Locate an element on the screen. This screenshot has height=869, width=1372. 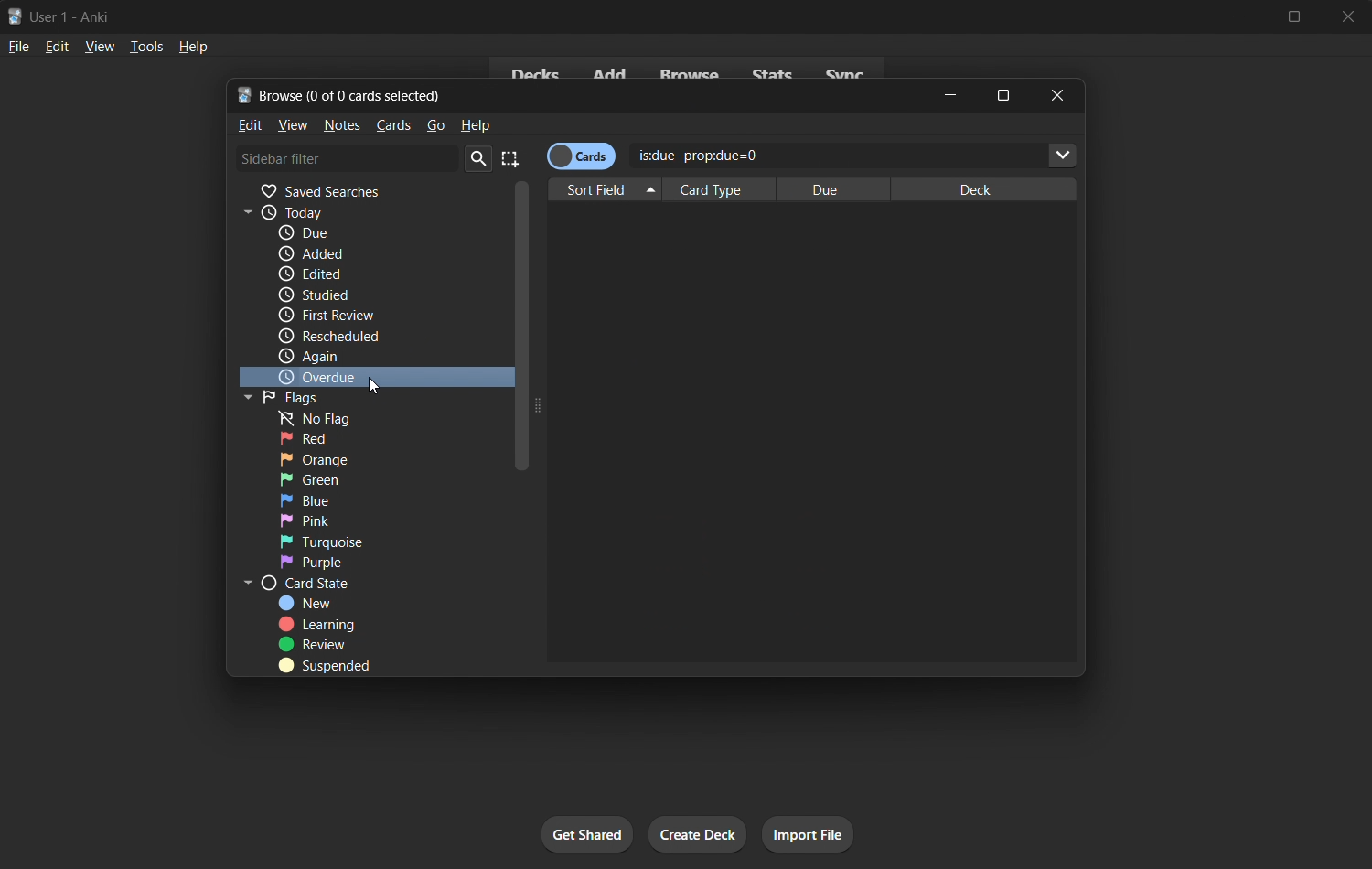
flags  is located at coordinates (292, 397).